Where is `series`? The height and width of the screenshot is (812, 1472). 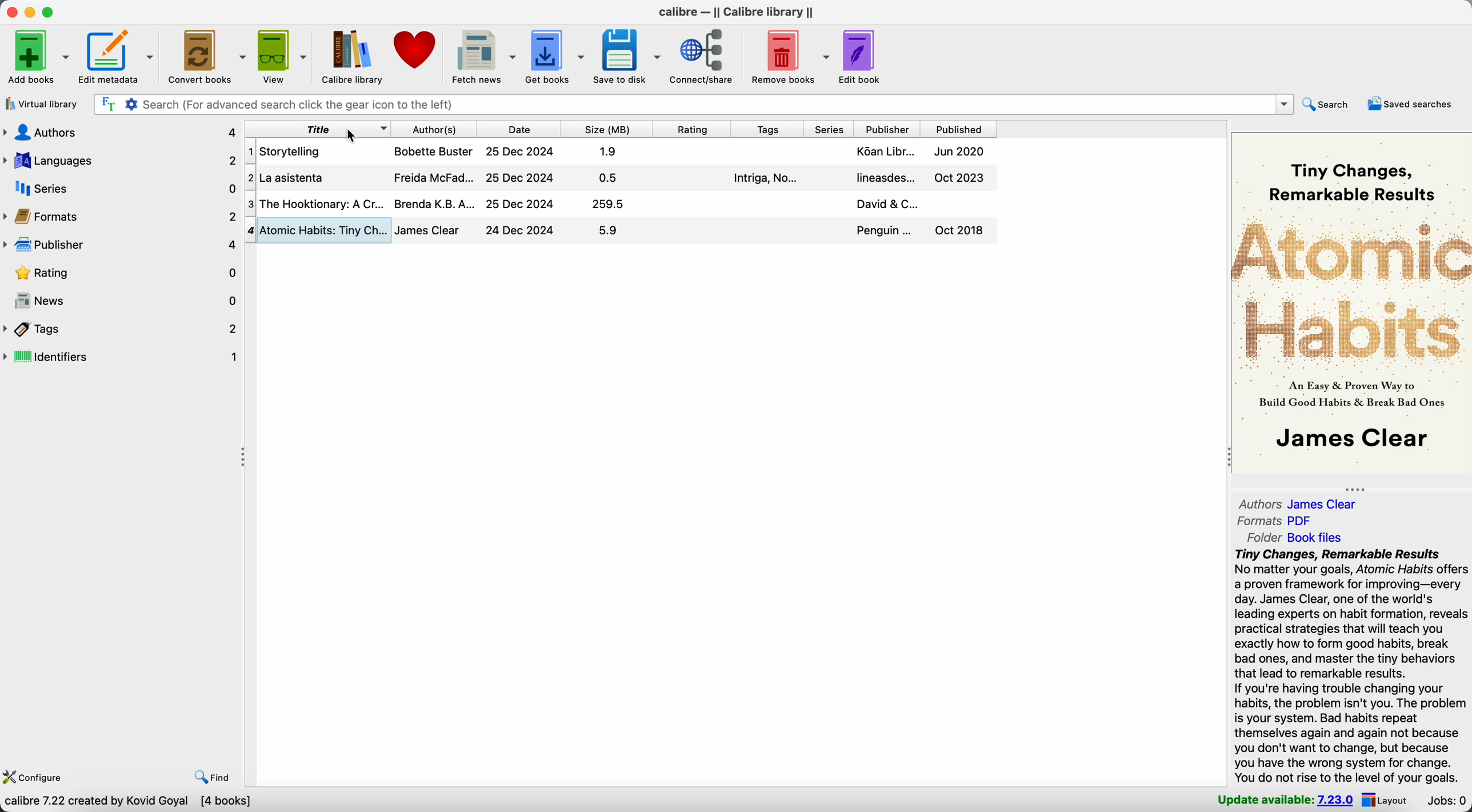
series is located at coordinates (831, 129).